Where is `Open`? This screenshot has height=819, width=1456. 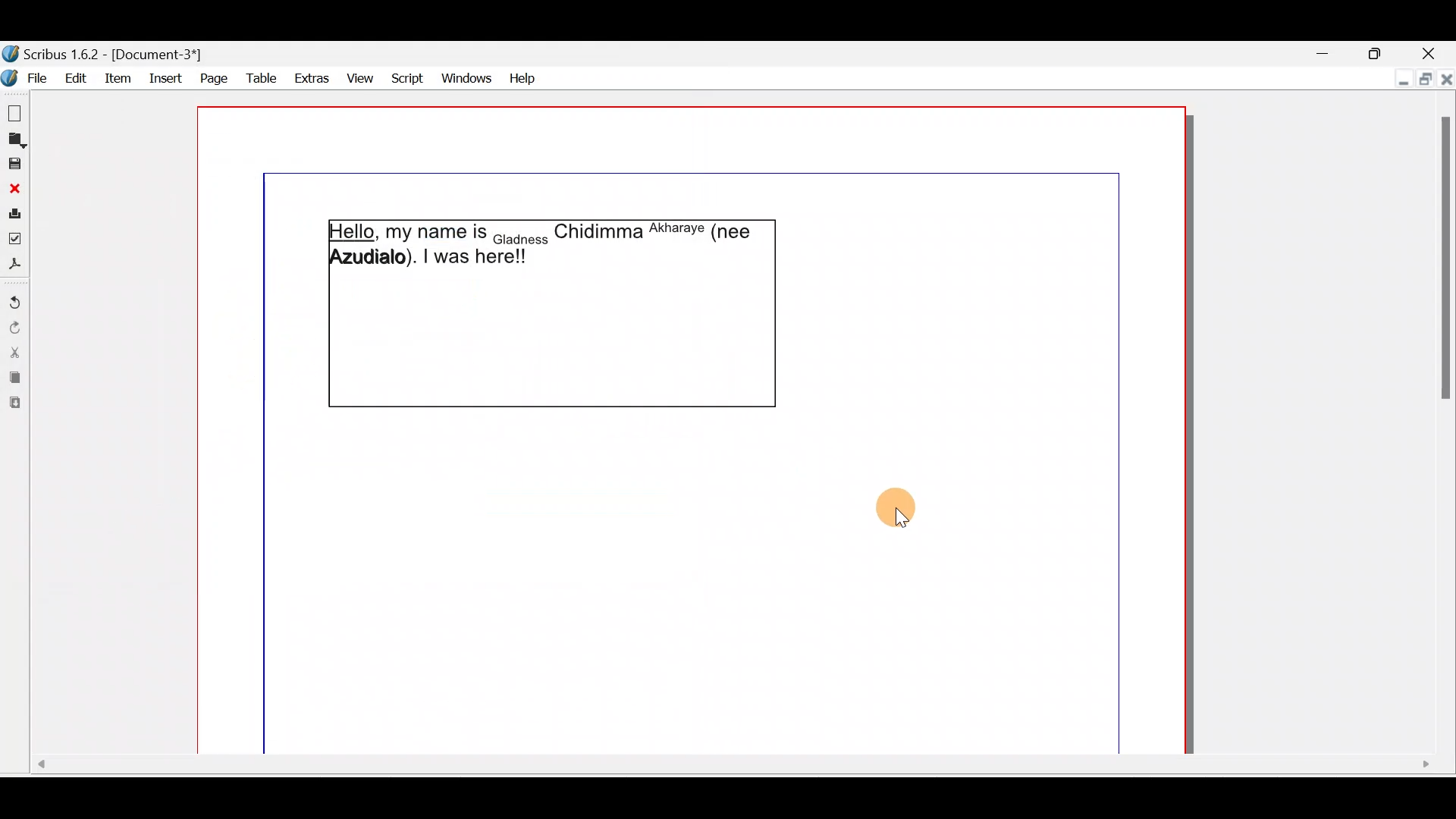 Open is located at coordinates (15, 142).